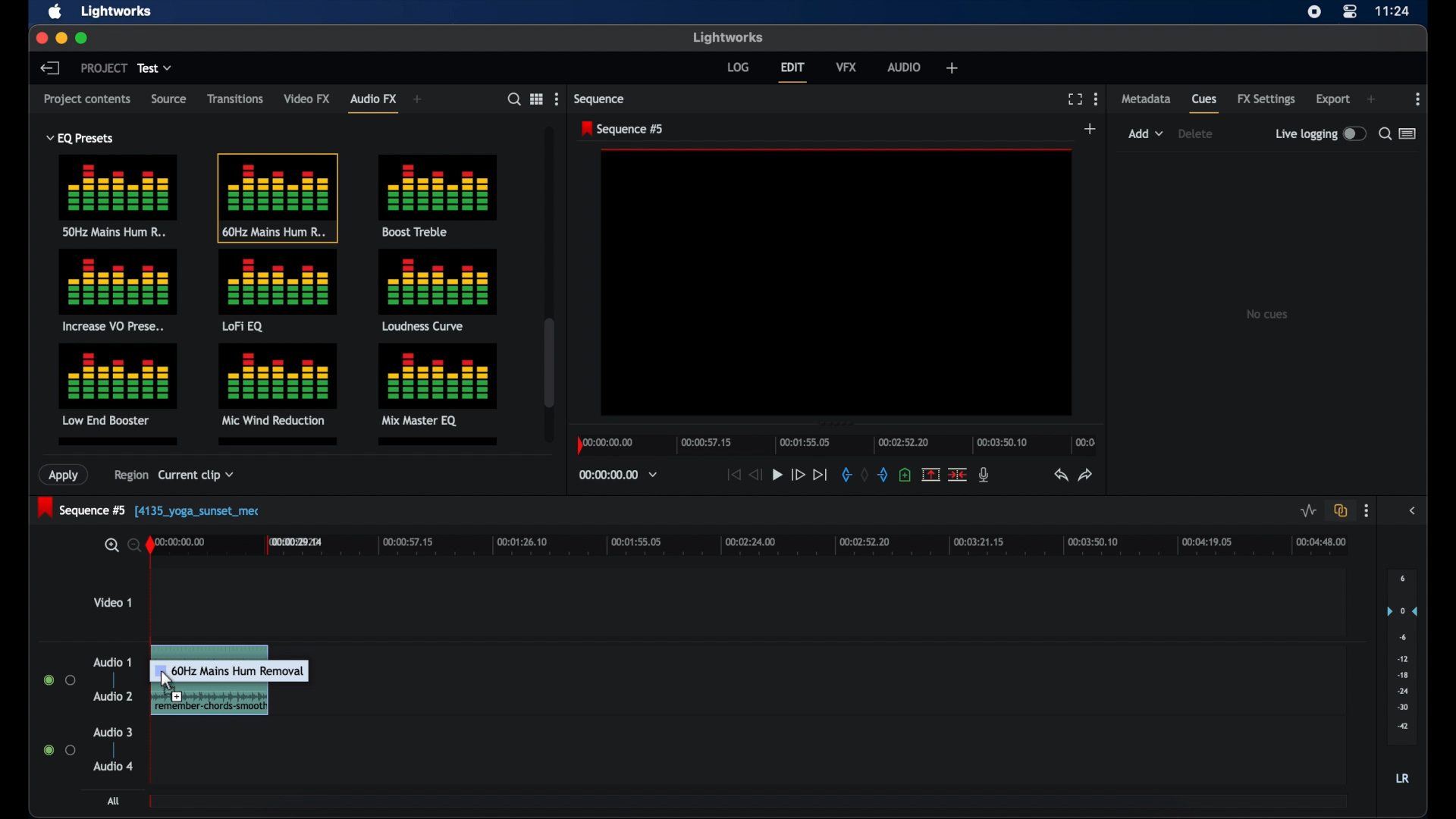 The width and height of the screenshot is (1456, 819). I want to click on cues, so click(1205, 103).